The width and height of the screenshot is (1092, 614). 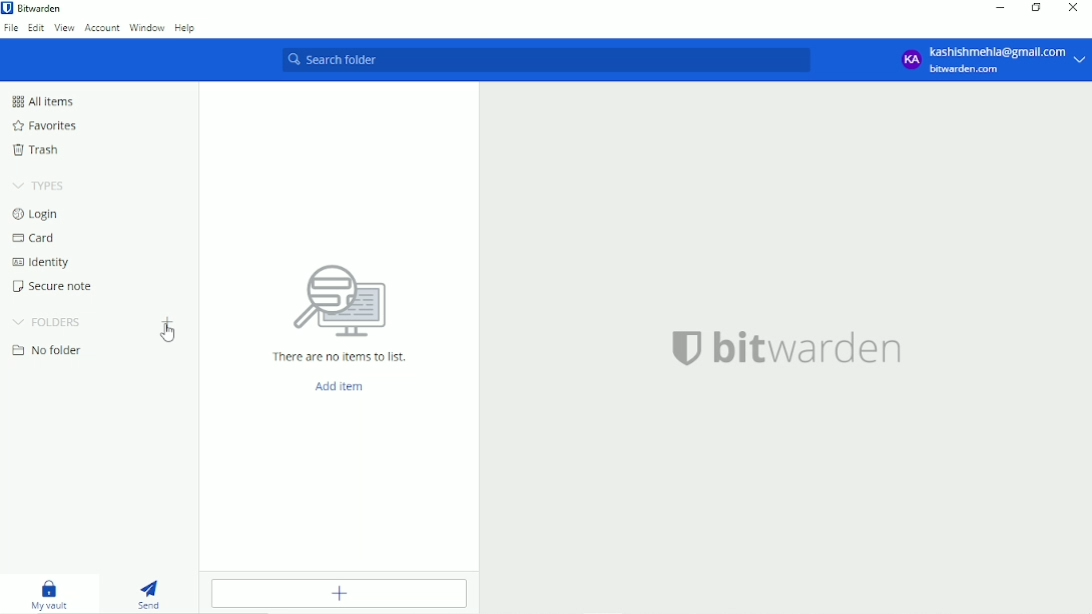 What do you see at coordinates (40, 215) in the screenshot?
I see `Login` at bounding box center [40, 215].